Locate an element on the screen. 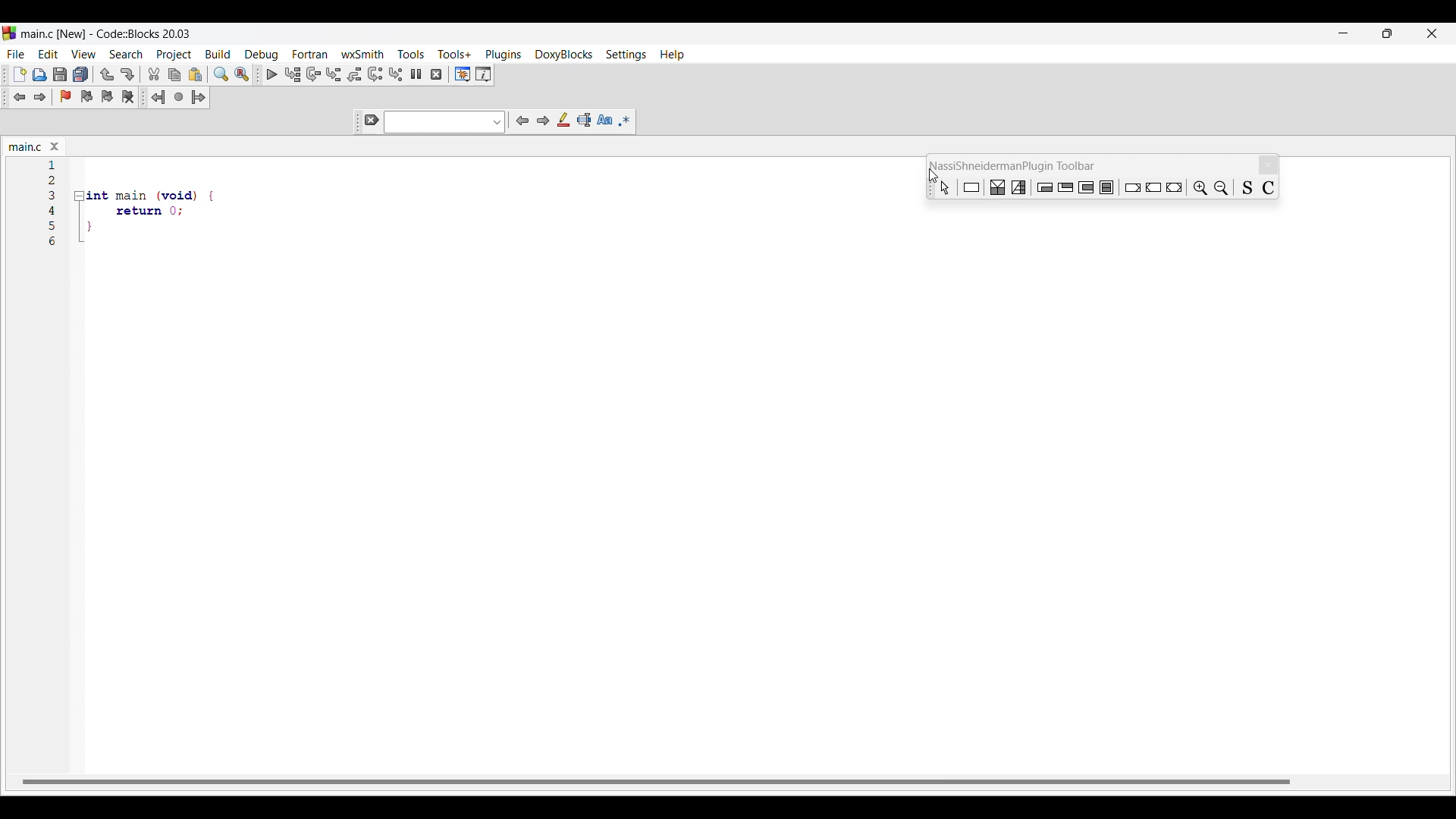 The image size is (1456, 819). Close toolbar is located at coordinates (1269, 165).